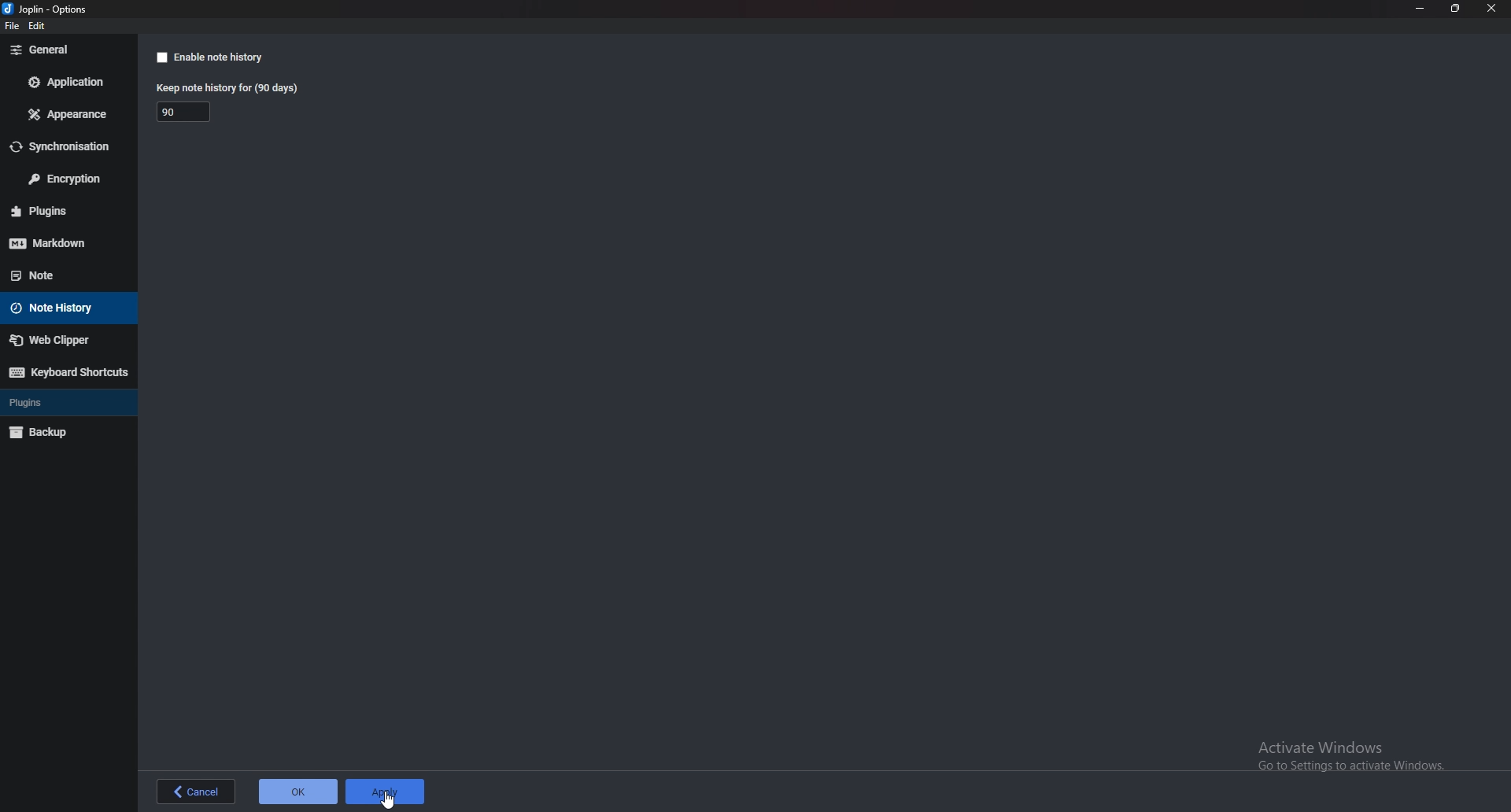  Describe the element at coordinates (64, 242) in the screenshot. I see `Mark down` at that location.